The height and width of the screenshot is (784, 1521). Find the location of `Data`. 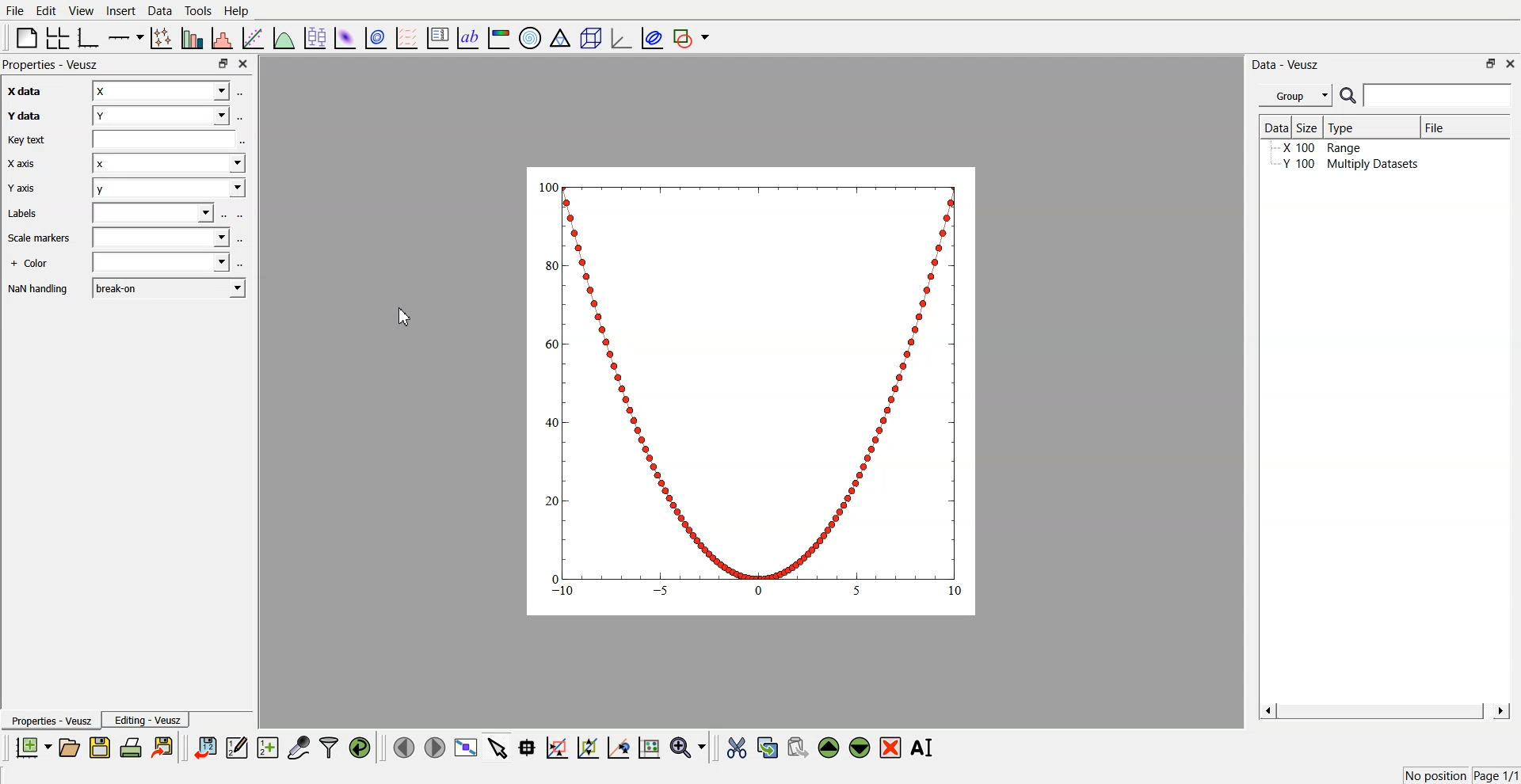

Data is located at coordinates (159, 11).